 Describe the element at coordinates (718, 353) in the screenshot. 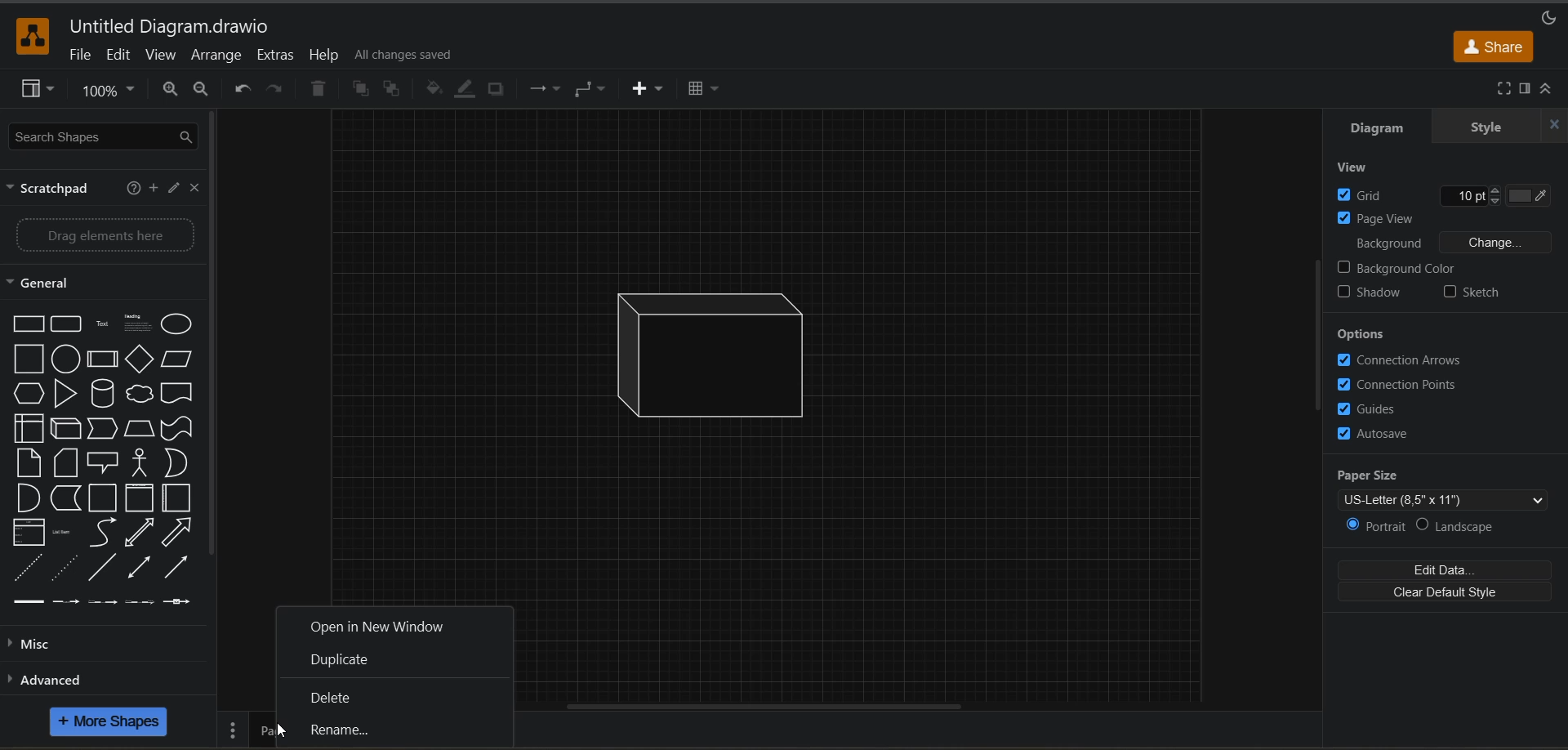

I see `inserted shape` at that location.